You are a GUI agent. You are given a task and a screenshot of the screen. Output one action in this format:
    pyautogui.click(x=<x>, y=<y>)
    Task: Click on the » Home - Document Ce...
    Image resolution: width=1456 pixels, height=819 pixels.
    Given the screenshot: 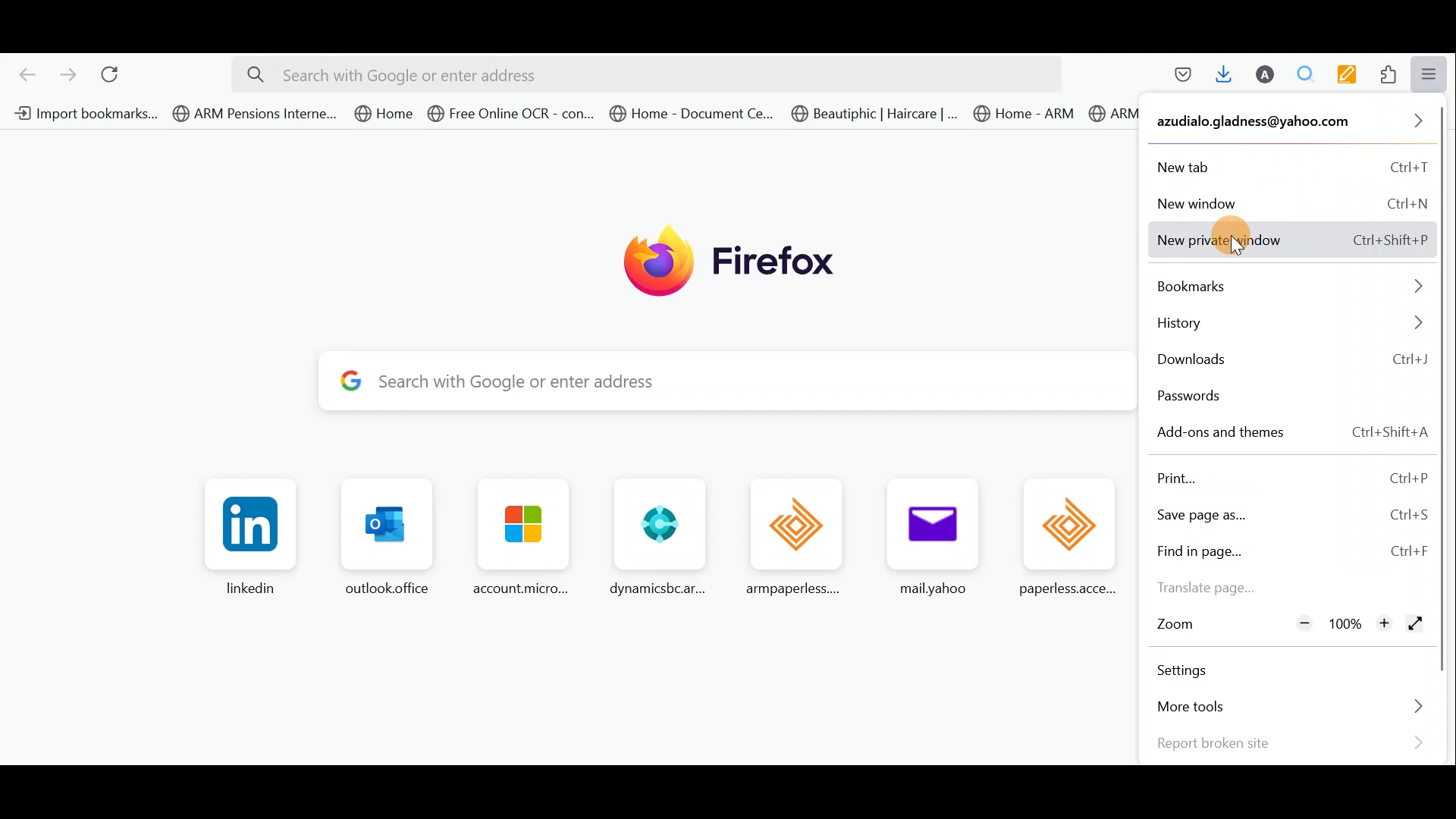 What is the action you would take?
    pyautogui.click(x=690, y=114)
    